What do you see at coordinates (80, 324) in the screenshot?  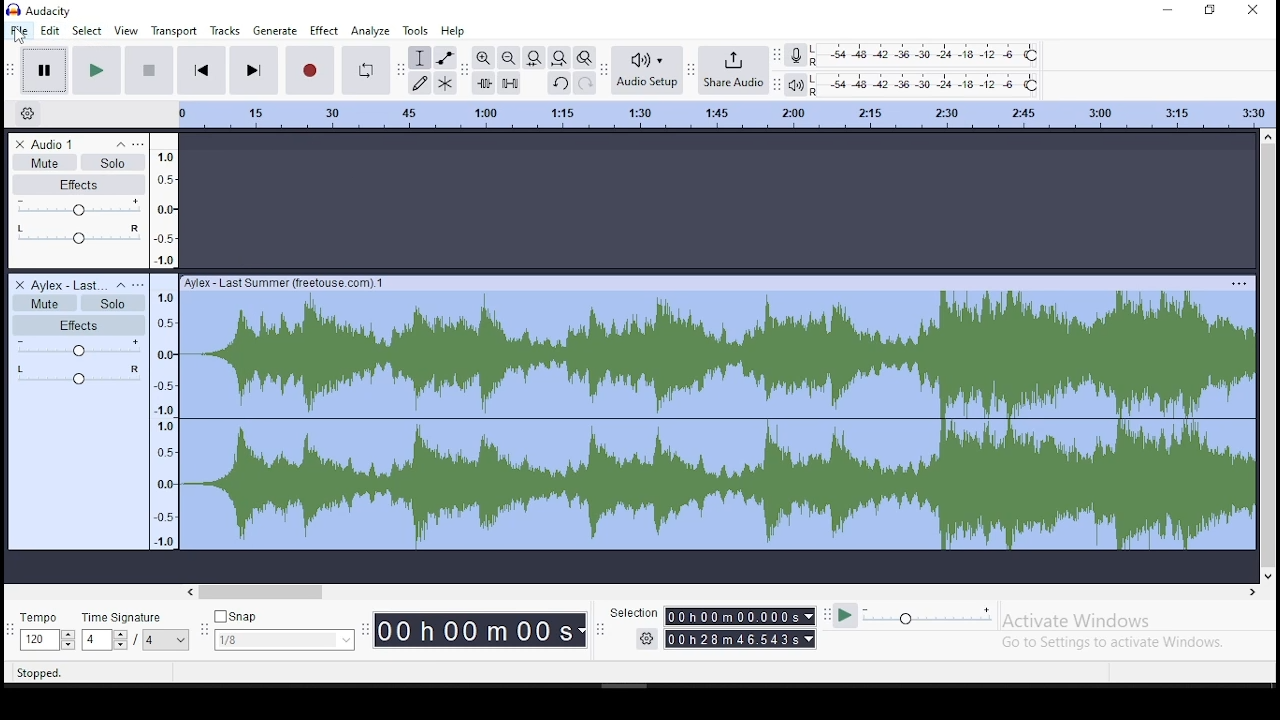 I see `effects` at bounding box center [80, 324].